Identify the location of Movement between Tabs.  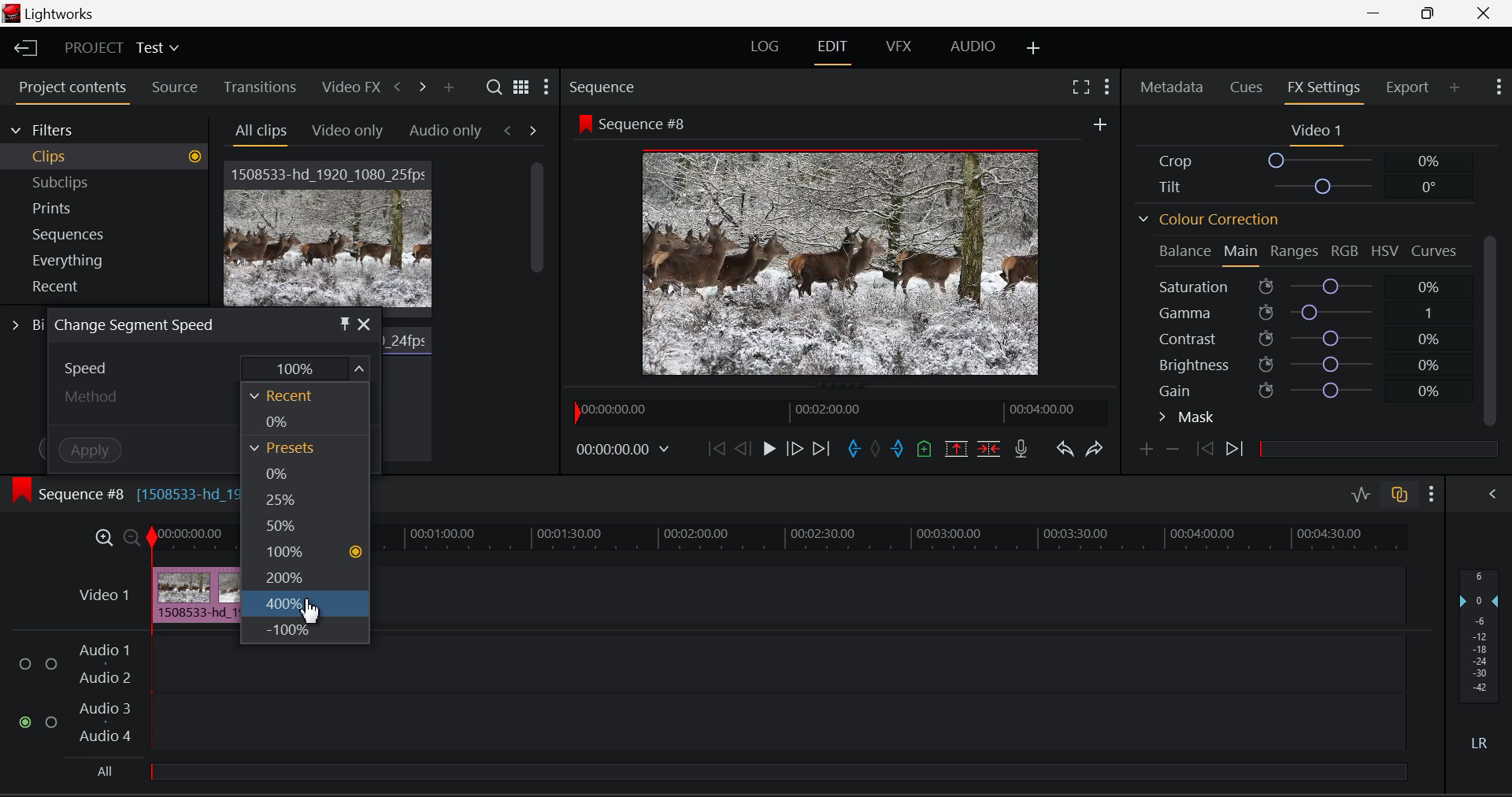
(521, 131).